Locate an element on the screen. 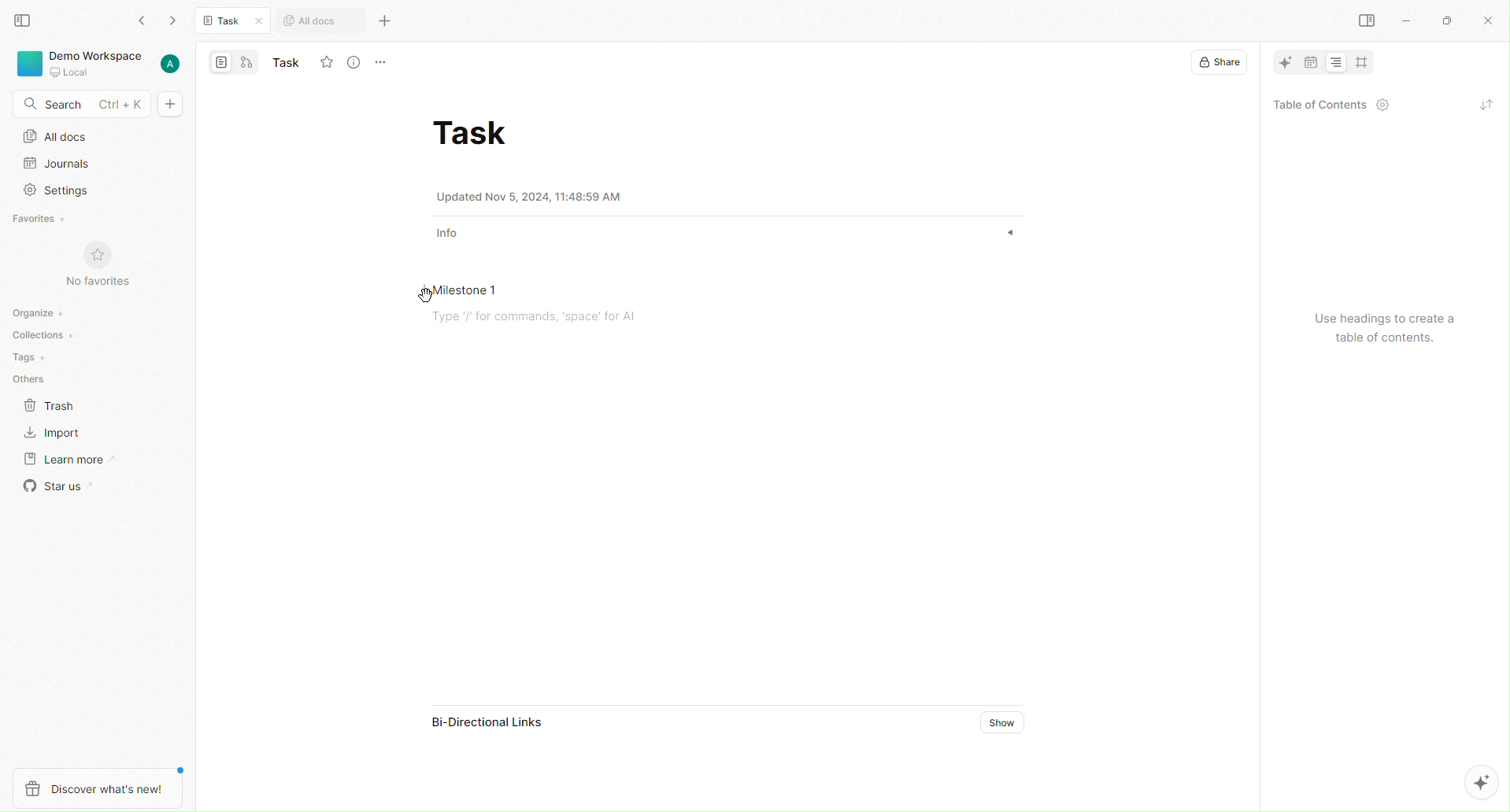 The image size is (1510, 812). Updated Nov 5, 2024, 11:48:59 AM is located at coordinates (539, 197).